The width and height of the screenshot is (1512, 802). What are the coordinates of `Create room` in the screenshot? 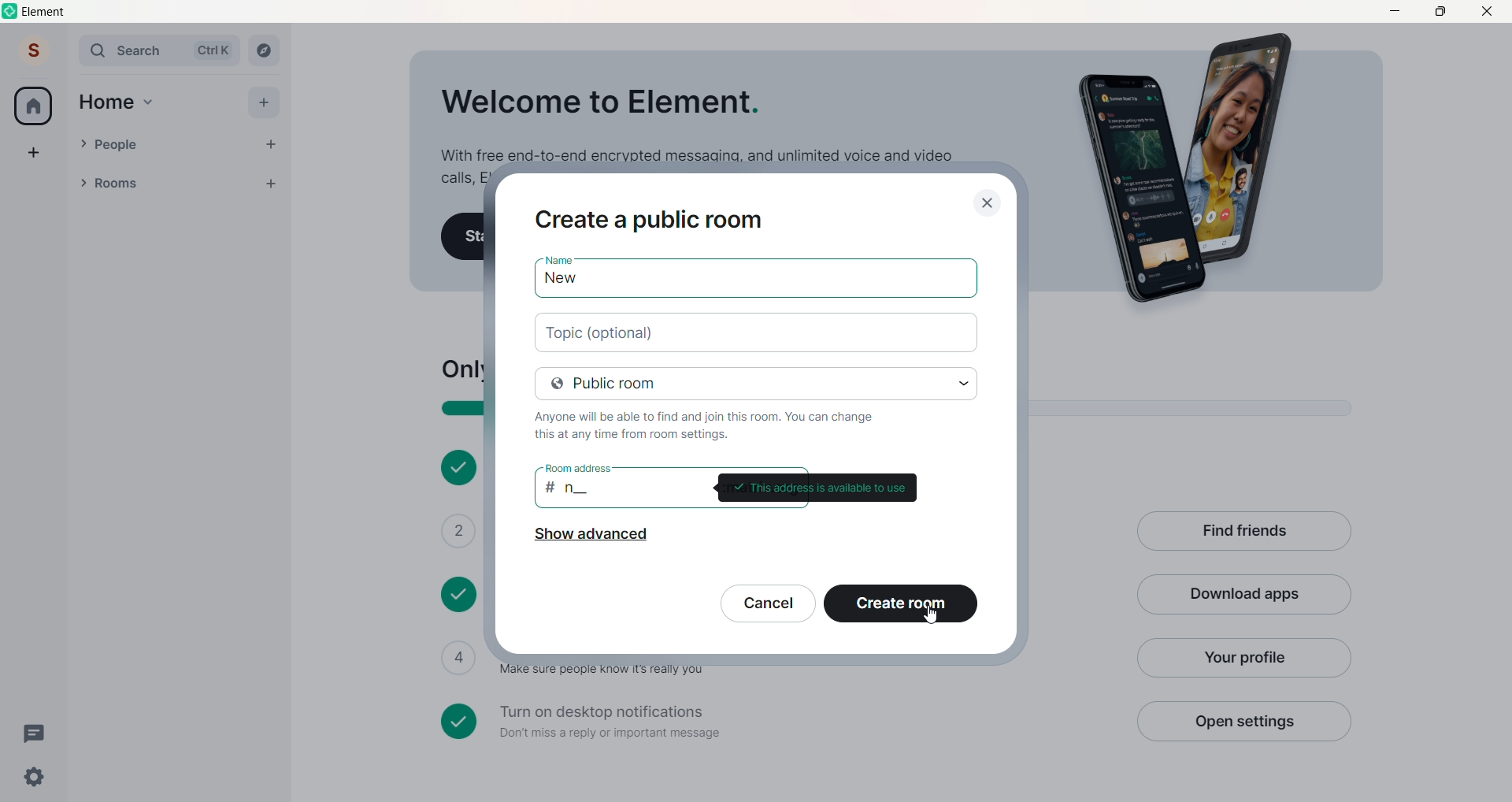 It's located at (900, 603).